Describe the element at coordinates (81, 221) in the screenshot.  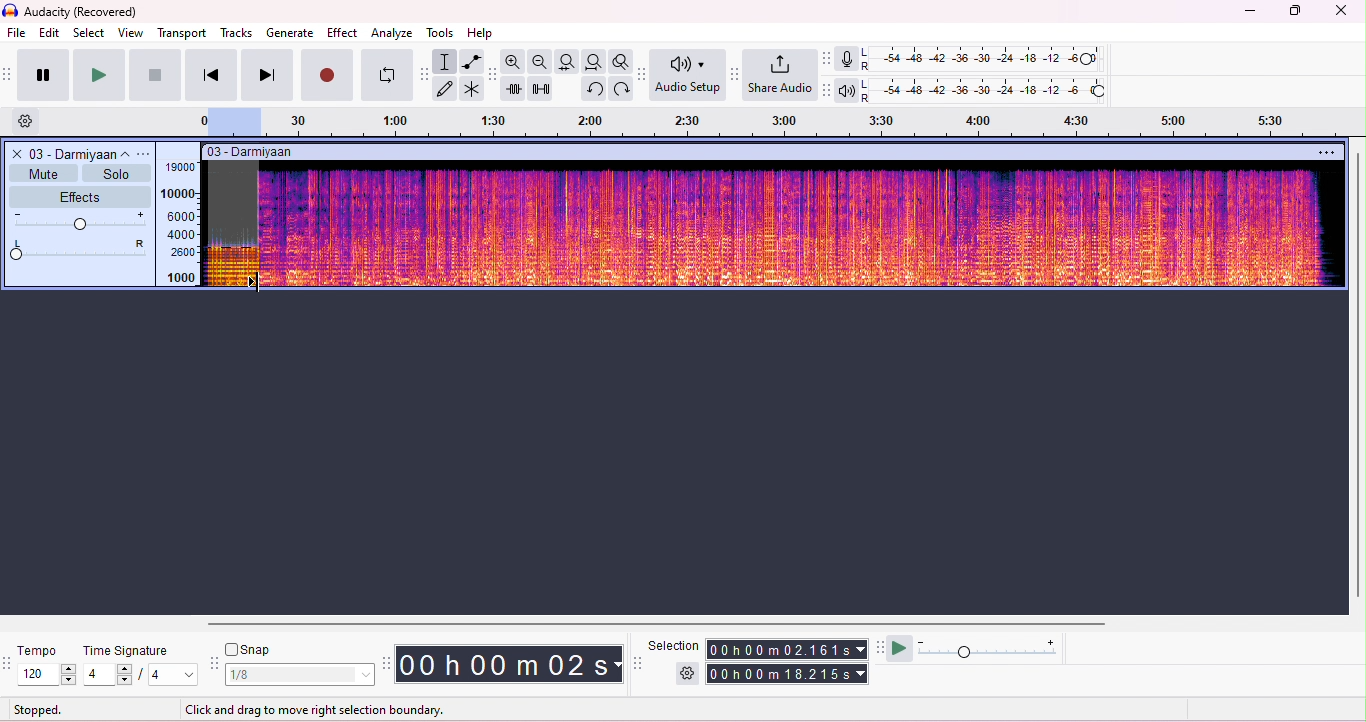
I see `volume` at that location.